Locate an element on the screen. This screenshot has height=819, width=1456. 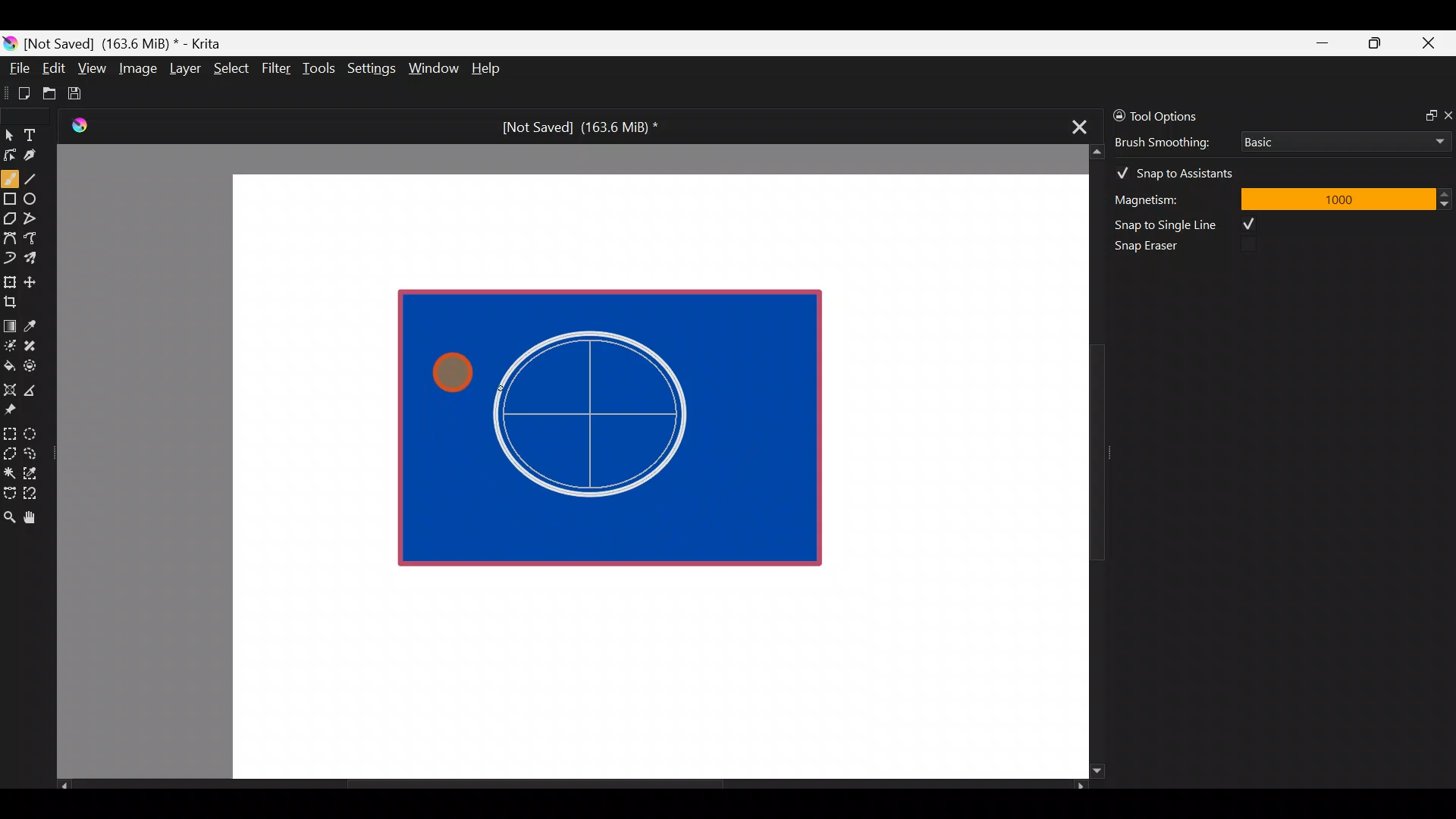
Snap to single line is located at coordinates (1191, 224).